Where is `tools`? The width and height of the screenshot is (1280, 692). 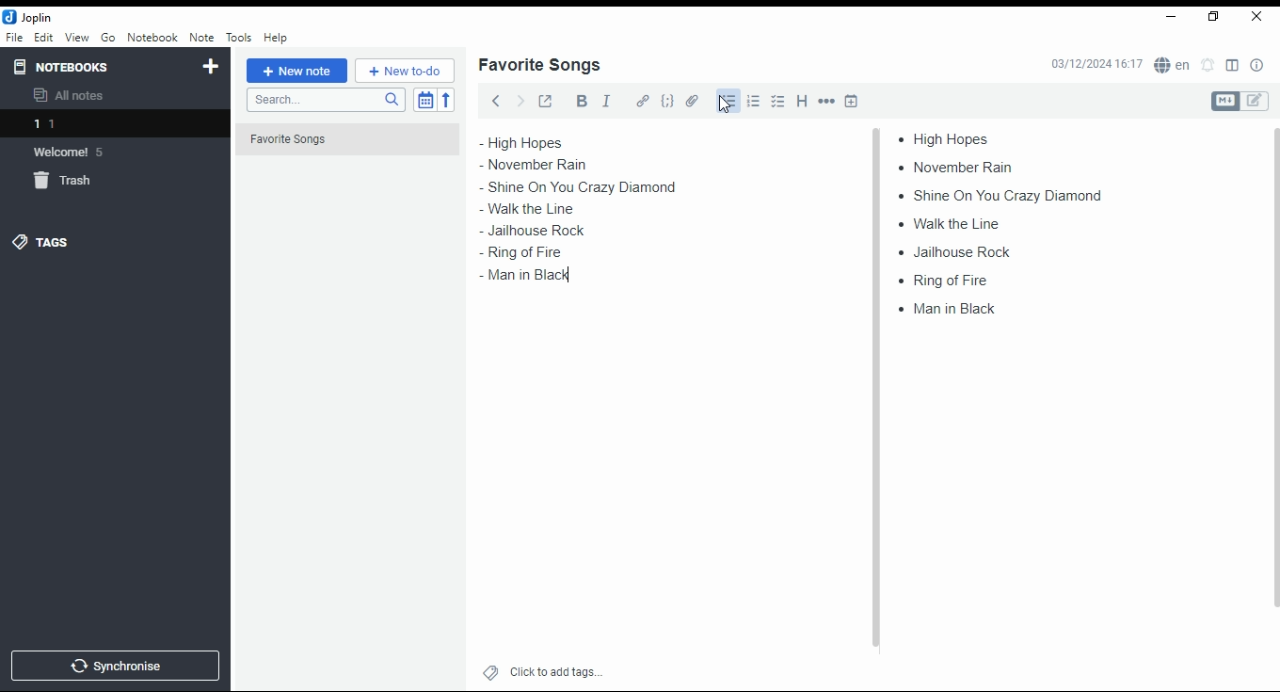 tools is located at coordinates (240, 38).